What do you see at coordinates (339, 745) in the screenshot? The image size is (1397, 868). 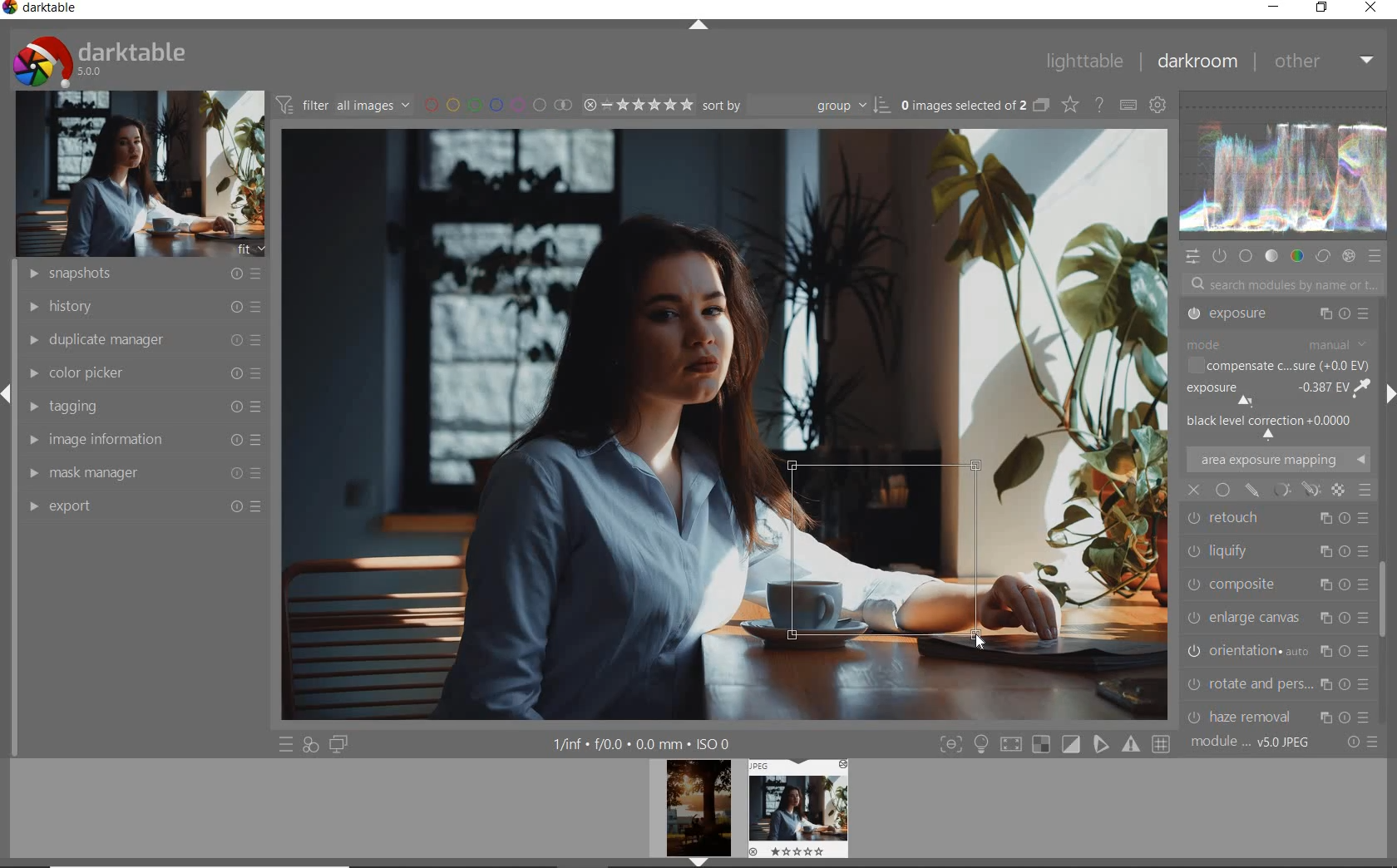 I see `DISPLAY A SECOND DARKROOM IMAGE WINDOW` at bounding box center [339, 745].